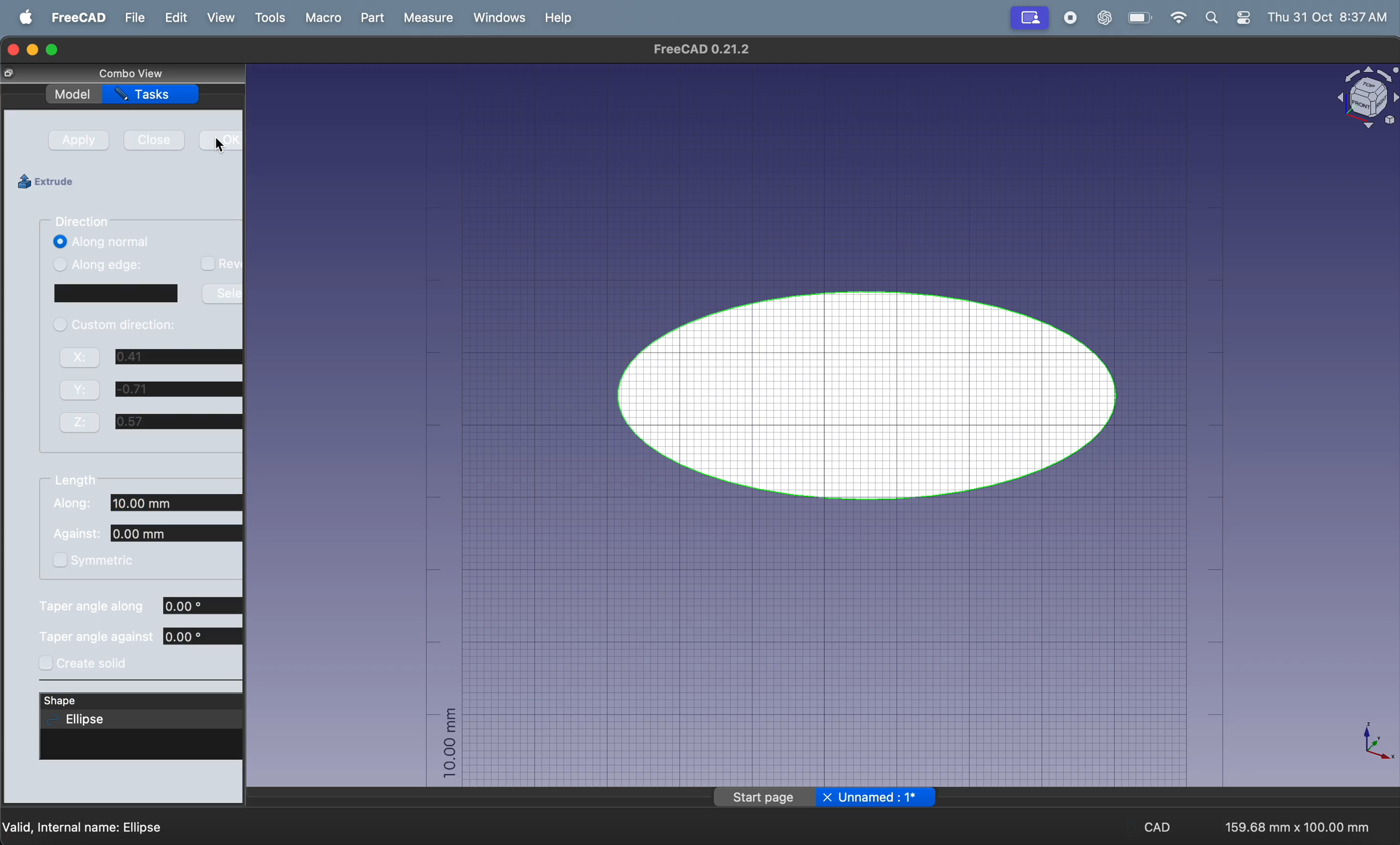  Describe the element at coordinates (20, 18) in the screenshot. I see `apple menu` at that location.